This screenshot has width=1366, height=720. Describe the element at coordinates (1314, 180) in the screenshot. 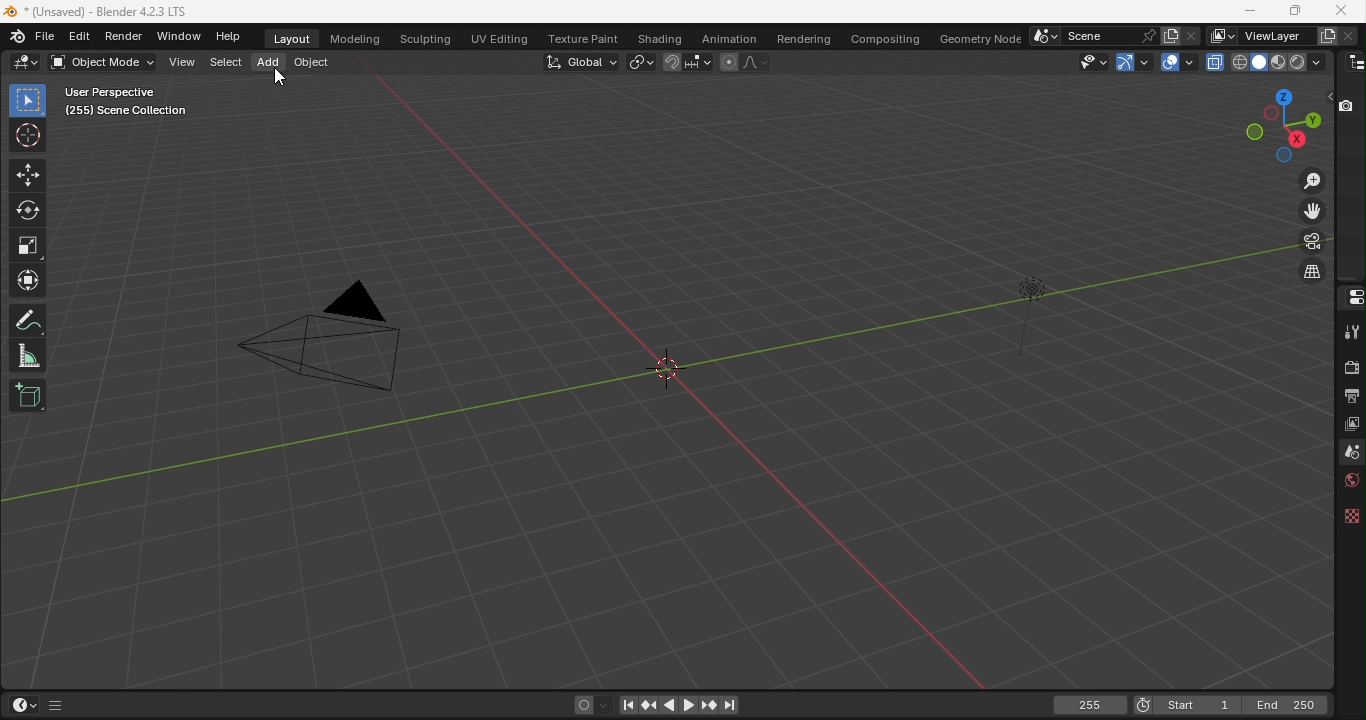

I see `Zoom in/out in the view` at that location.